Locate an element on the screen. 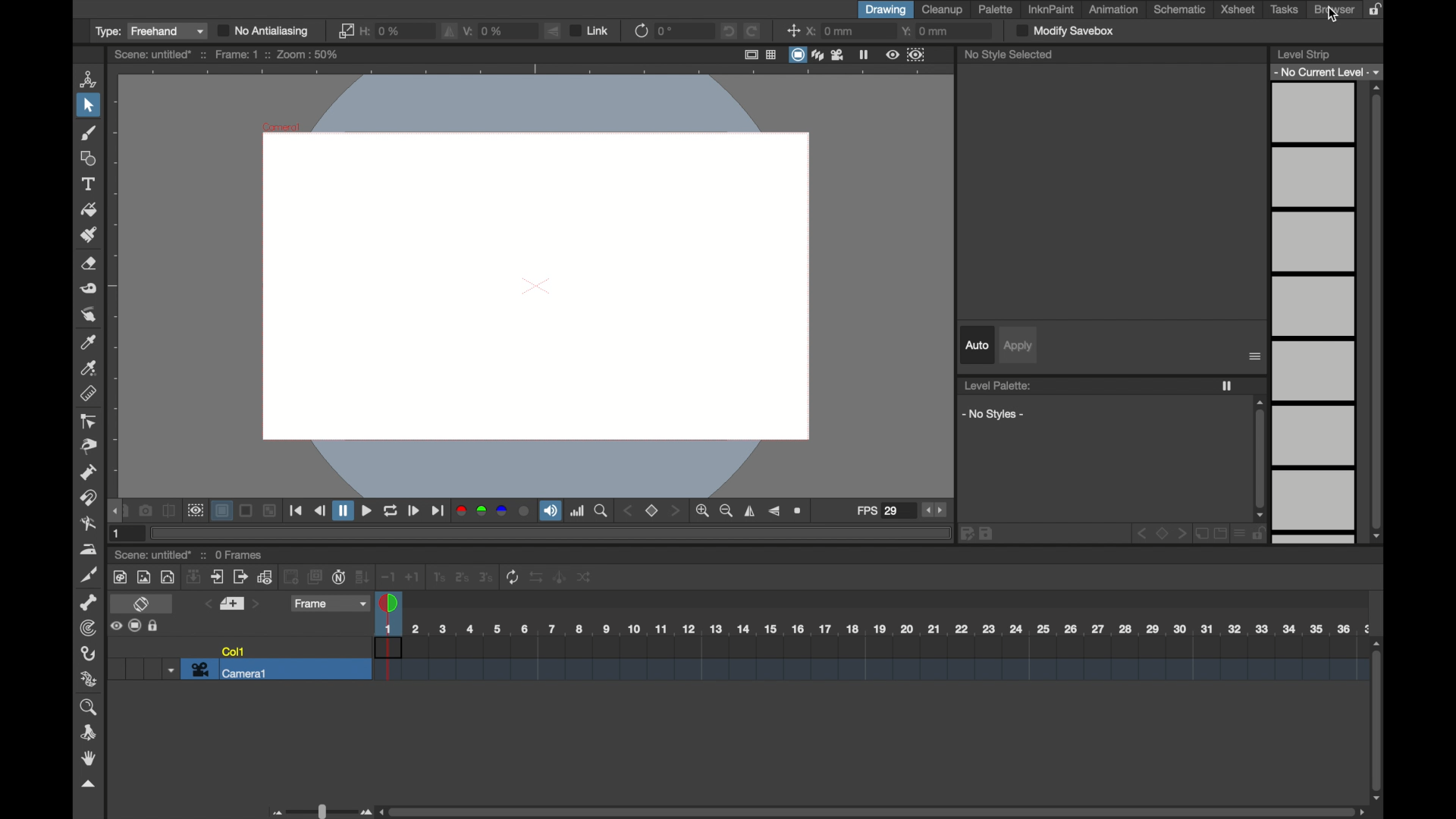 Image resolution: width=1456 pixels, height=819 pixels. scroll box is located at coordinates (1378, 721).